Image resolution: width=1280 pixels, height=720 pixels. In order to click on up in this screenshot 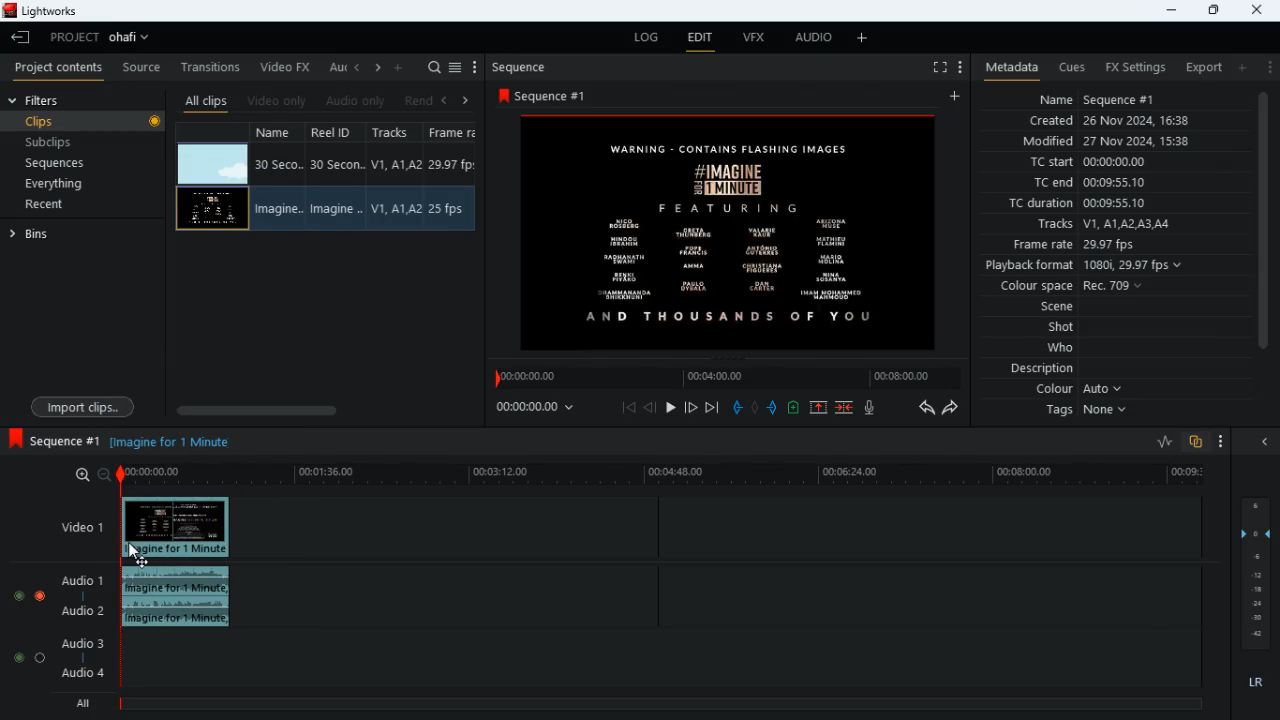, I will do `click(819, 408)`.